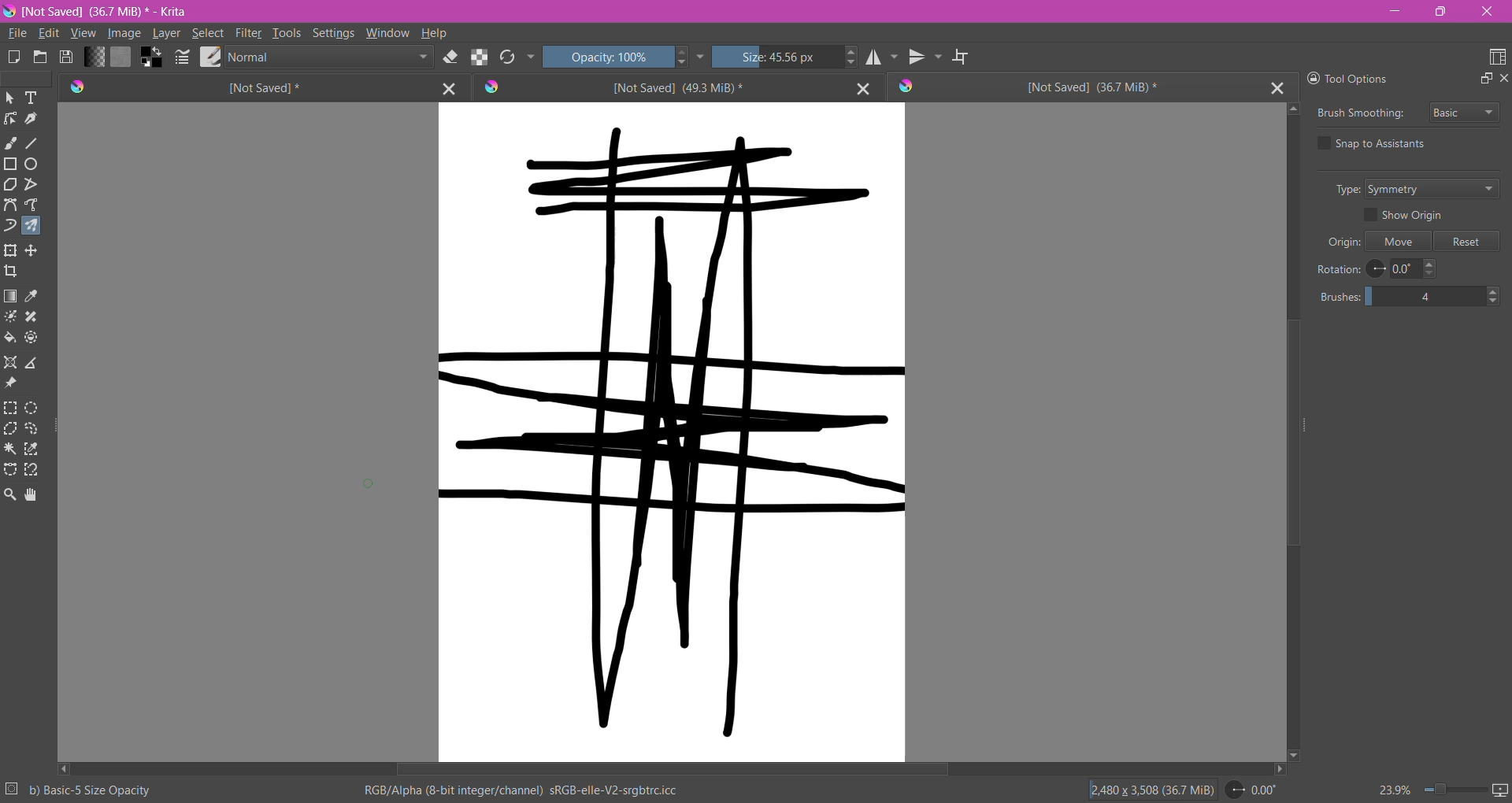 Image resolution: width=1512 pixels, height=803 pixels. Describe the element at coordinates (31, 495) in the screenshot. I see `Pan Tool` at that location.